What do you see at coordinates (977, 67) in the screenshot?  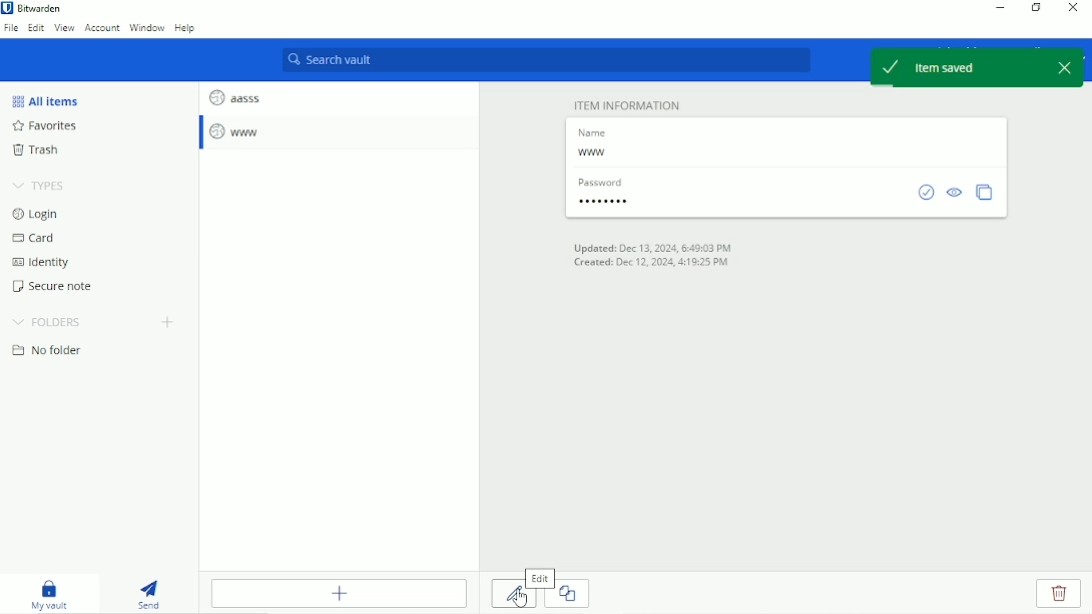 I see `Item saved` at bounding box center [977, 67].